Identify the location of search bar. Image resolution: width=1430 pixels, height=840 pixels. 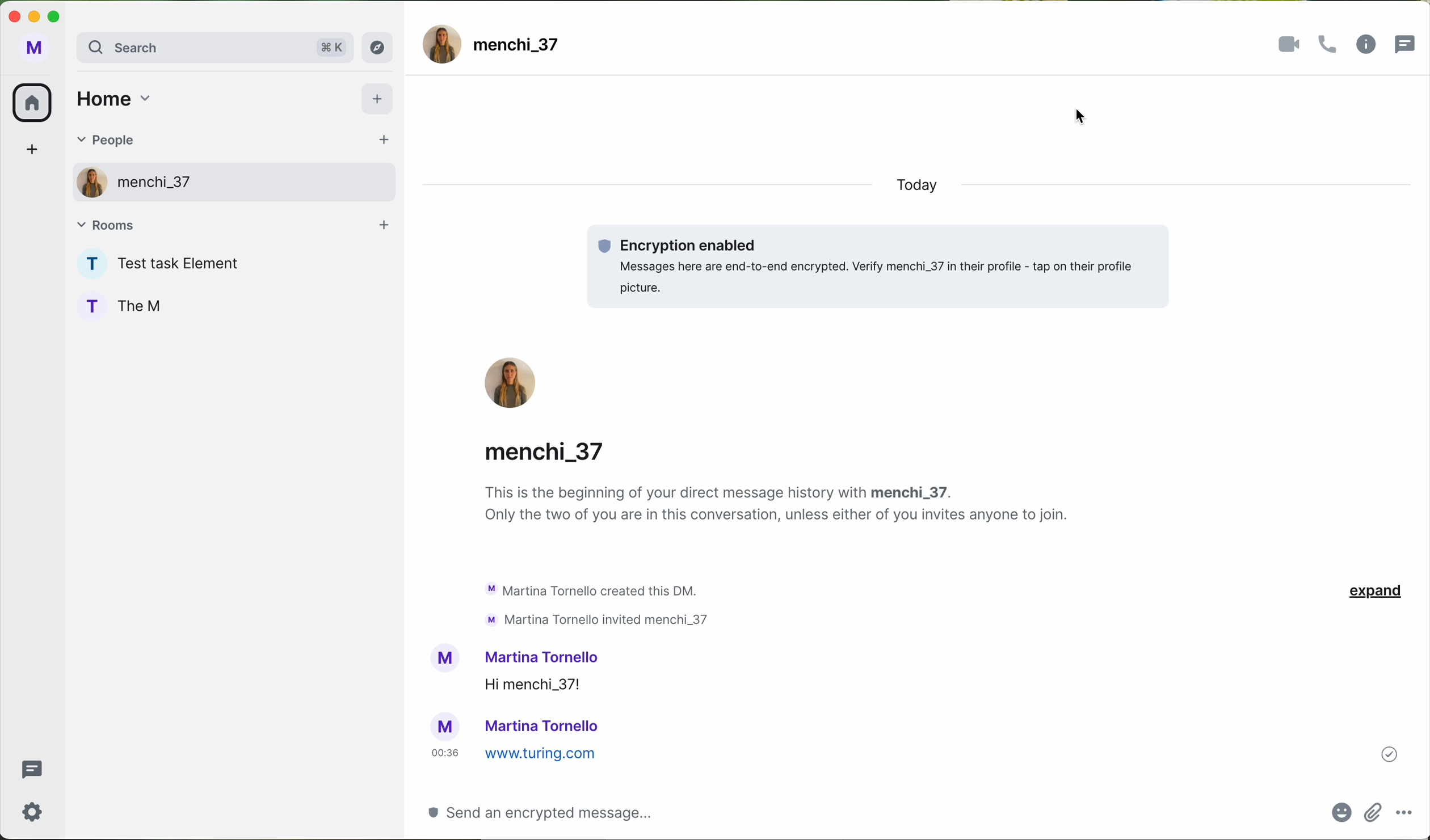
(213, 49).